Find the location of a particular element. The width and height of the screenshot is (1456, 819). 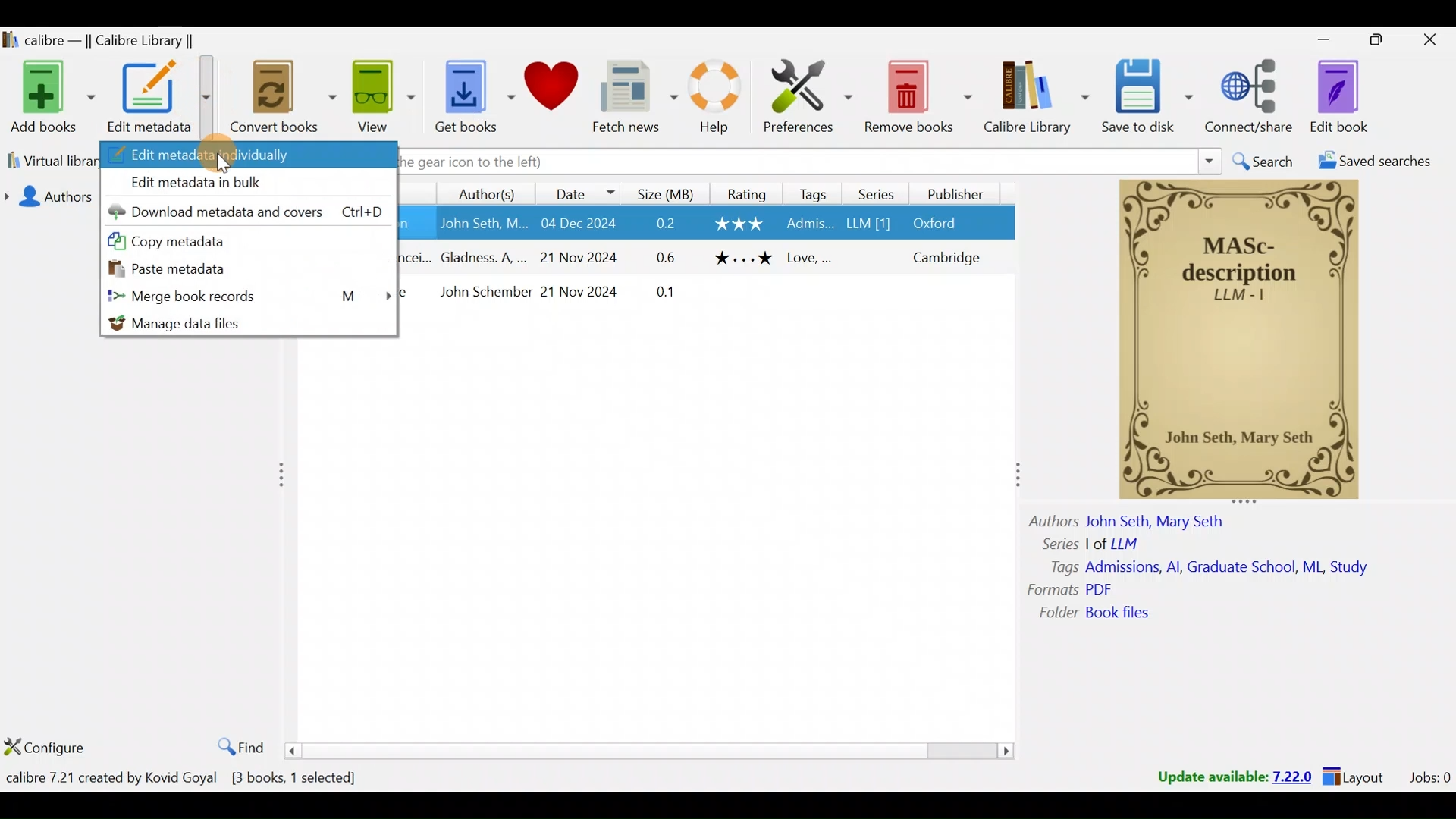

Search is located at coordinates (1262, 159).